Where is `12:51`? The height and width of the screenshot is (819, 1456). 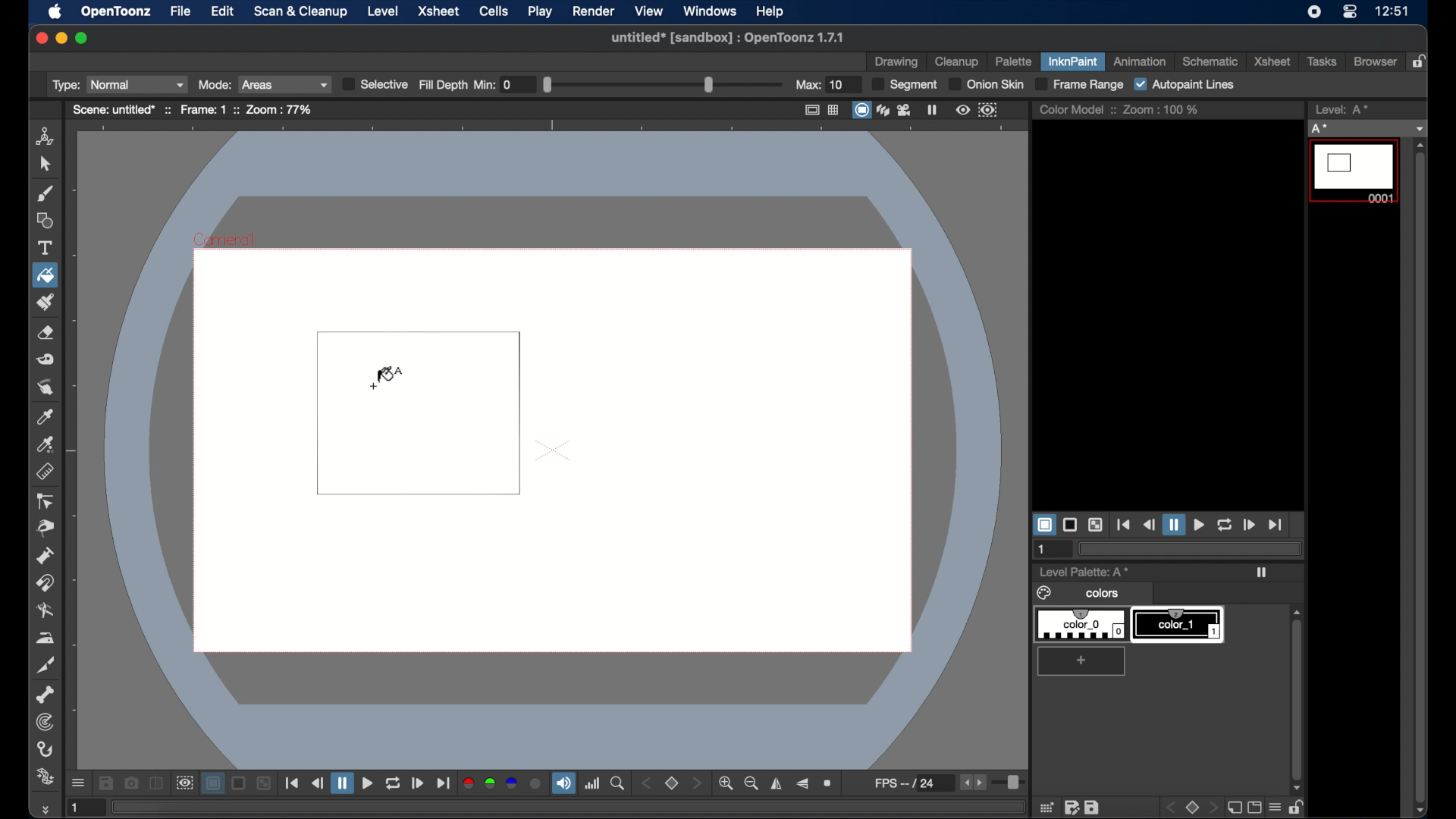
12:51 is located at coordinates (1394, 11).